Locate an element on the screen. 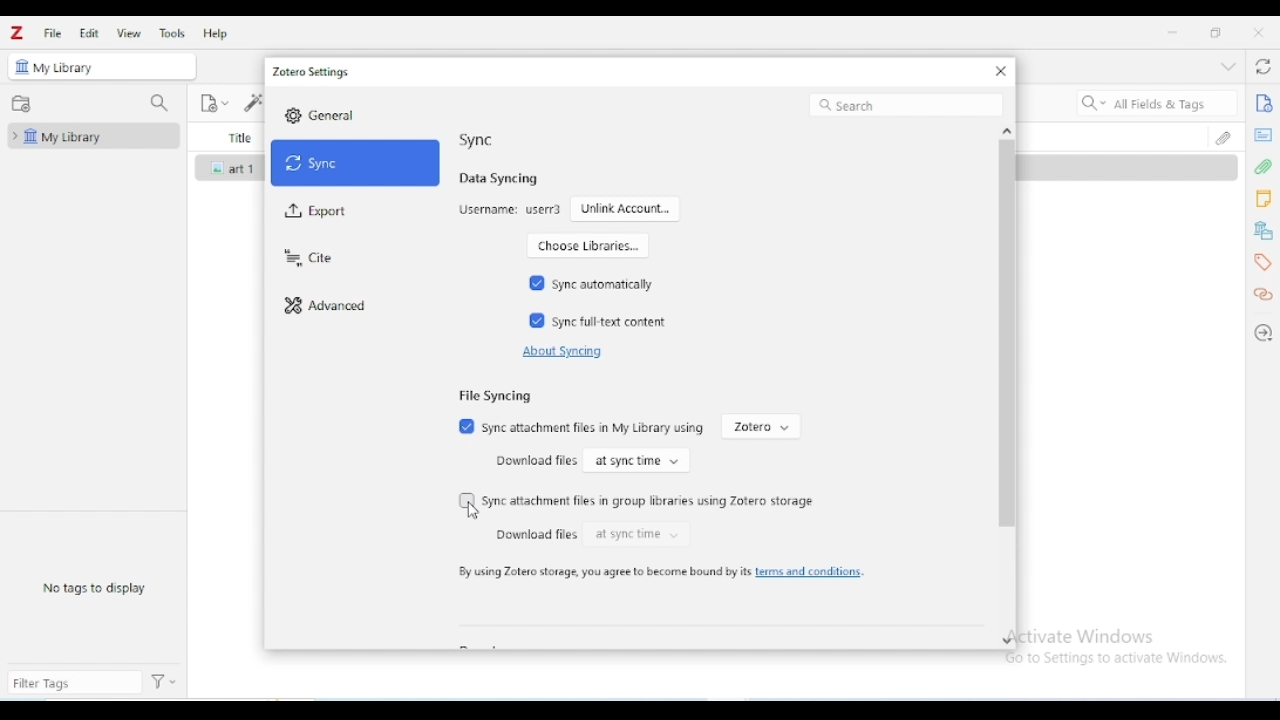 This screenshot has width=1280, height=720. download files is located at coordinates (533, 460).